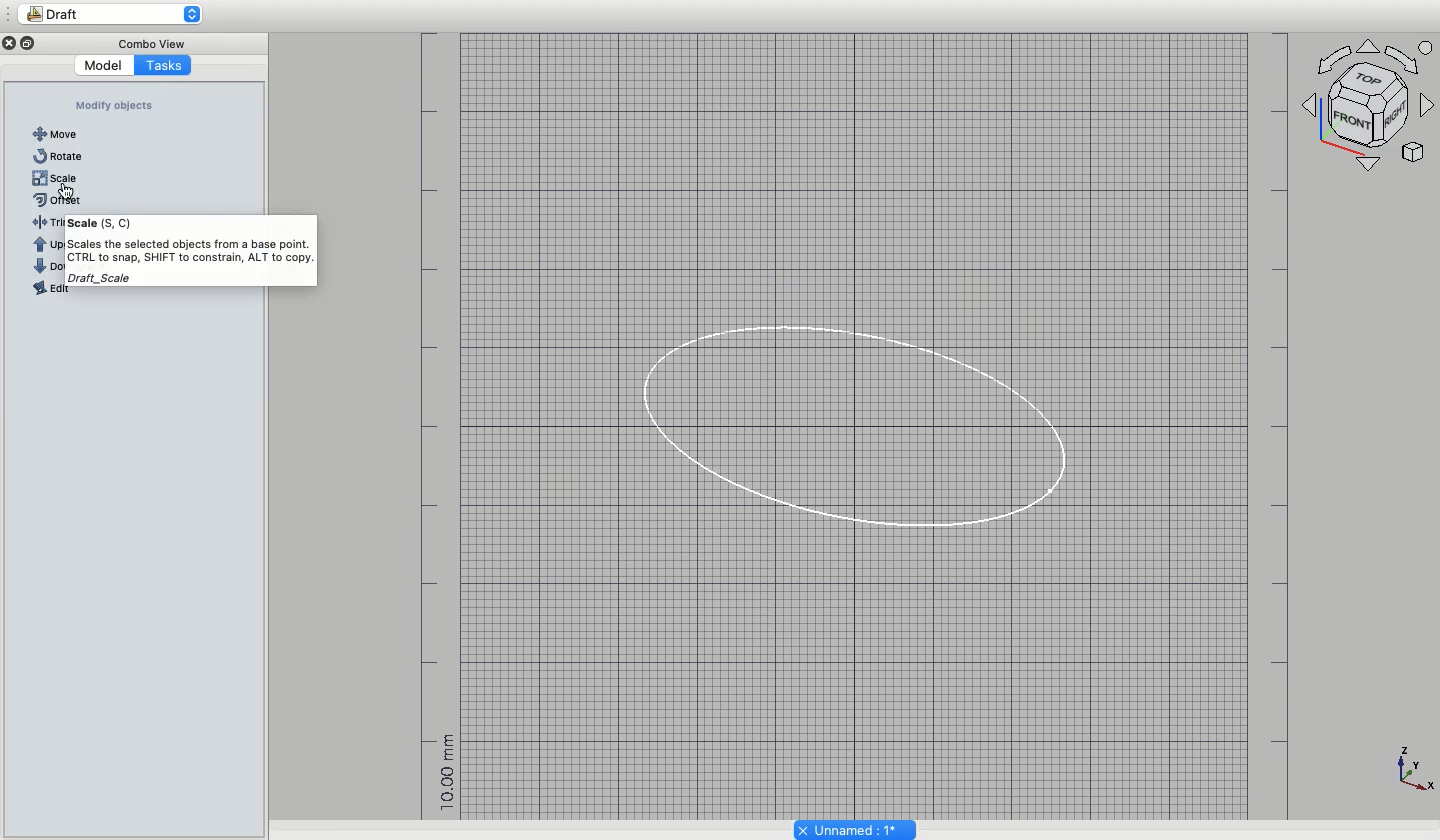 Image resolution: width=1440 pixels, height=840 pixels. I want to click on Model , so click(102, 66).